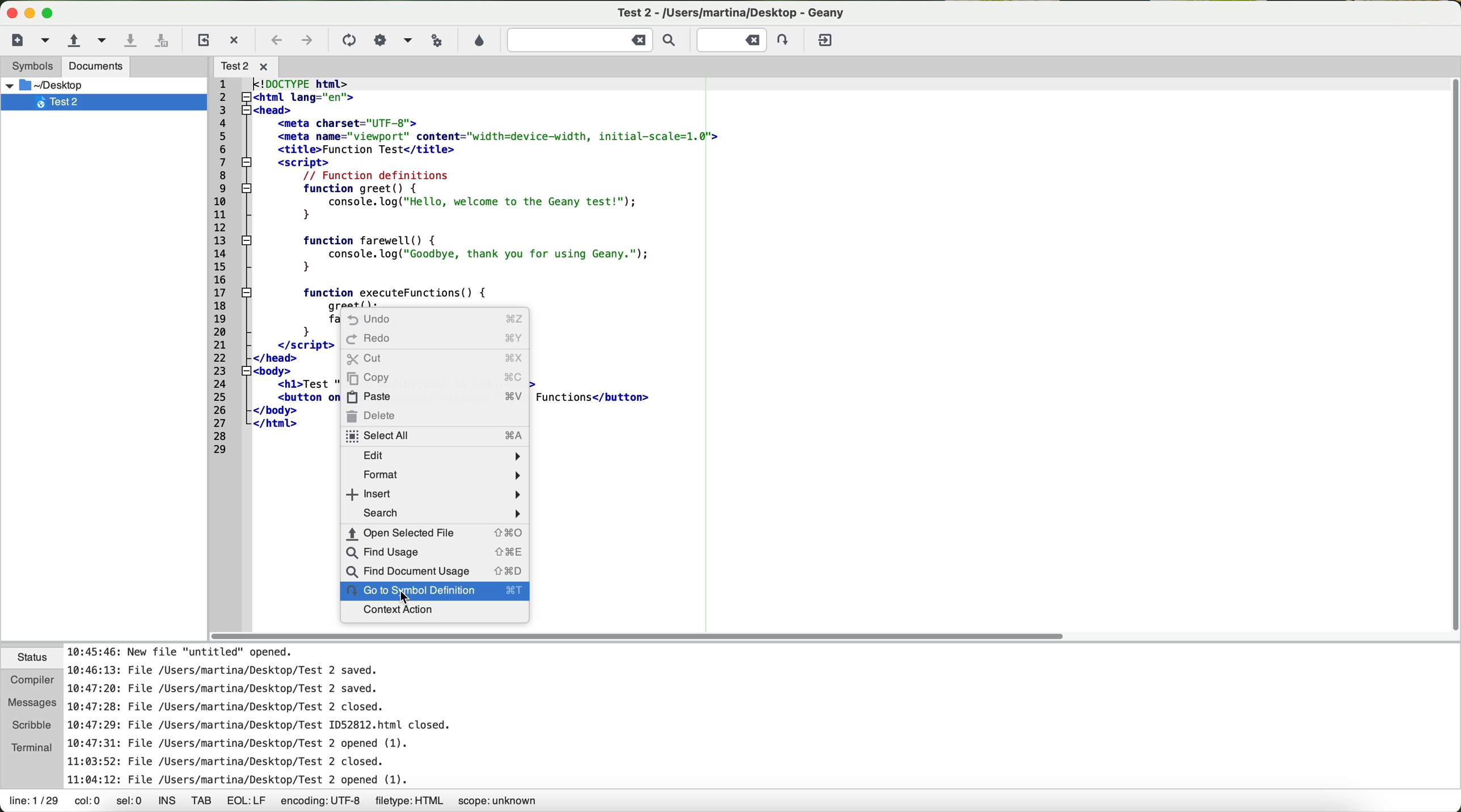 The height and width of the screenshot is (812, 1461). What do you see at coordinates (432, 320) in the screenshot?
I see `undo` at bounding box center [432, 320].